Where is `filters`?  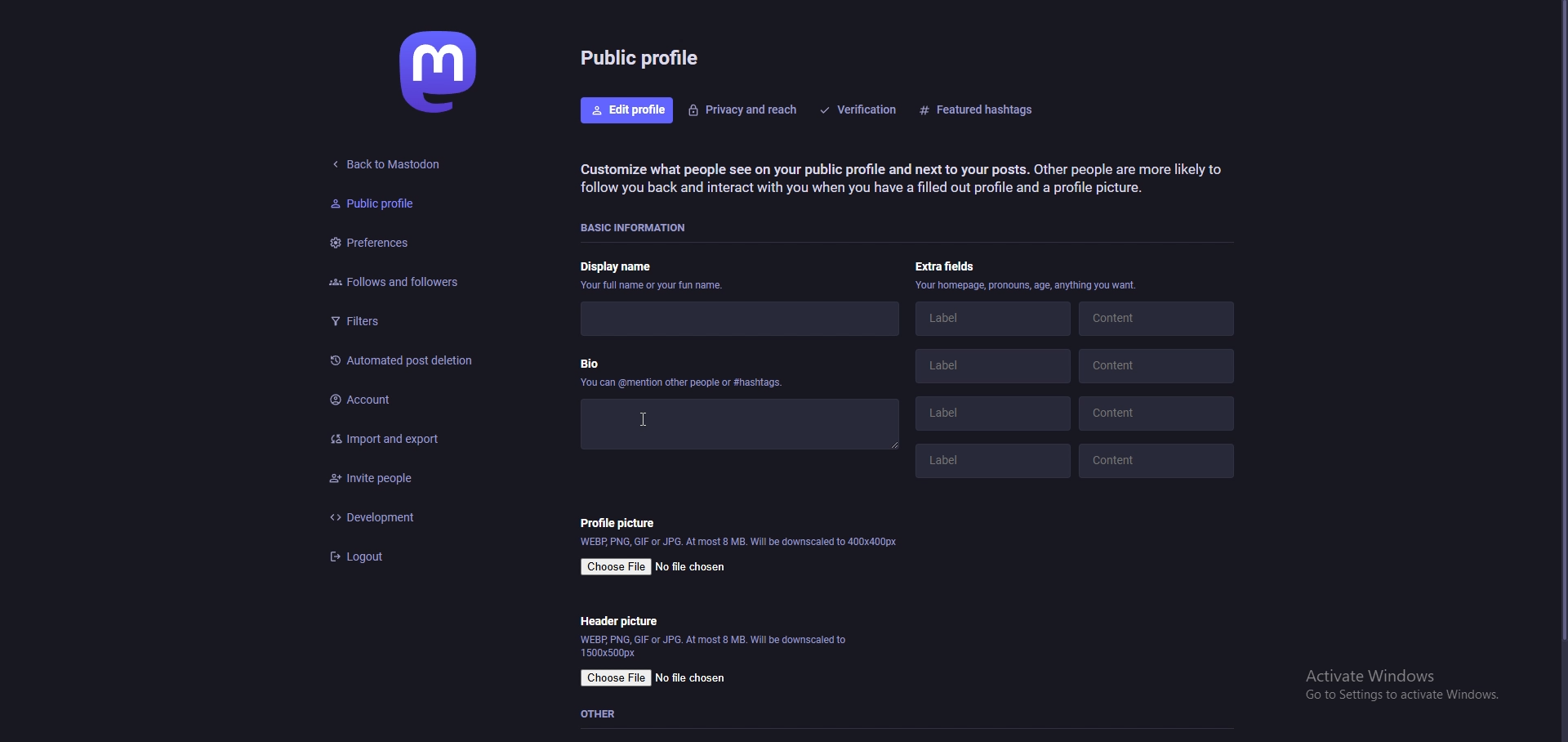 filters is located at coordinates (404, 318).